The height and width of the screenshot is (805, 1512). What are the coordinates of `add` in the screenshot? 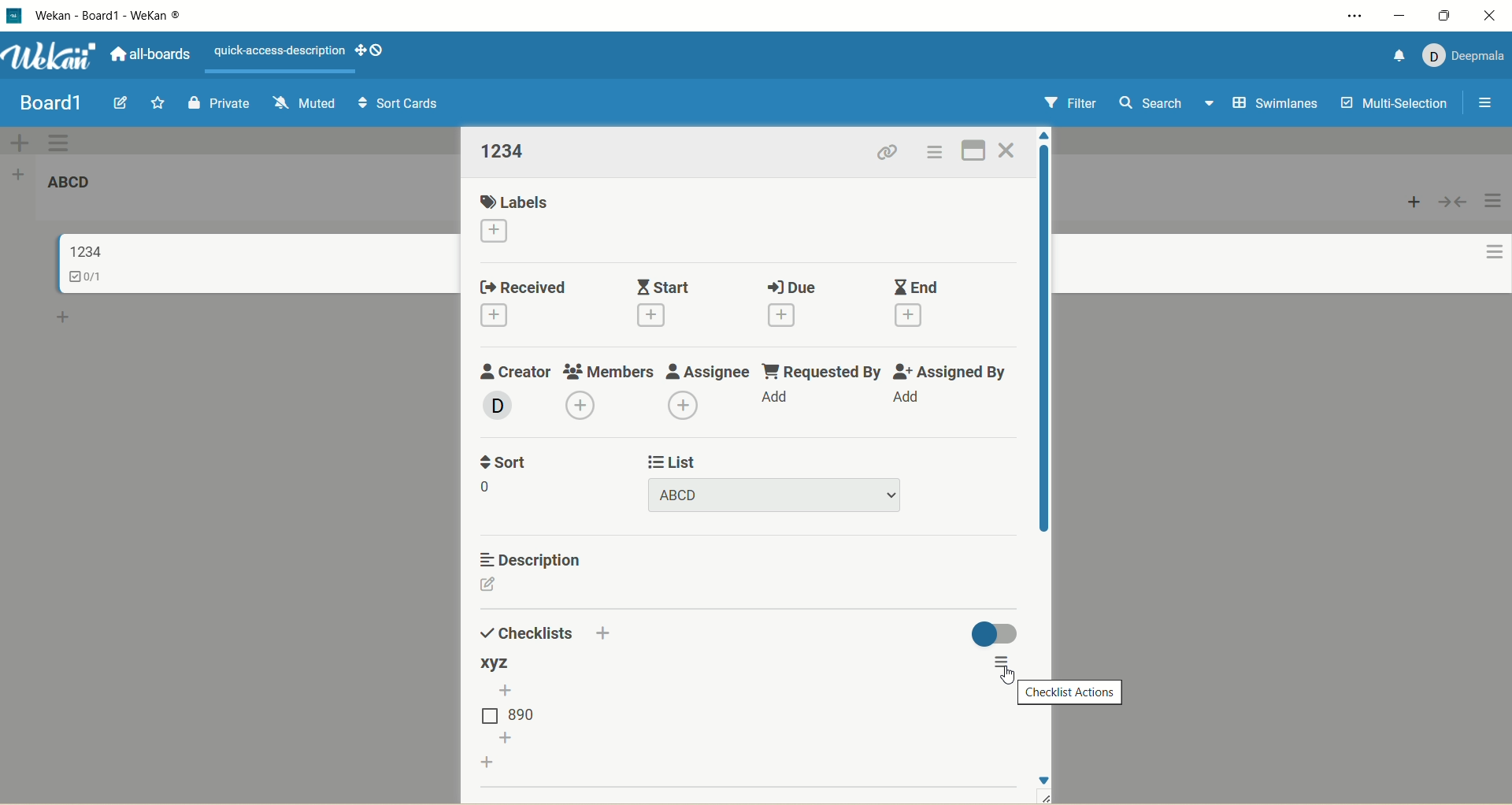 It's located at (785, 314).